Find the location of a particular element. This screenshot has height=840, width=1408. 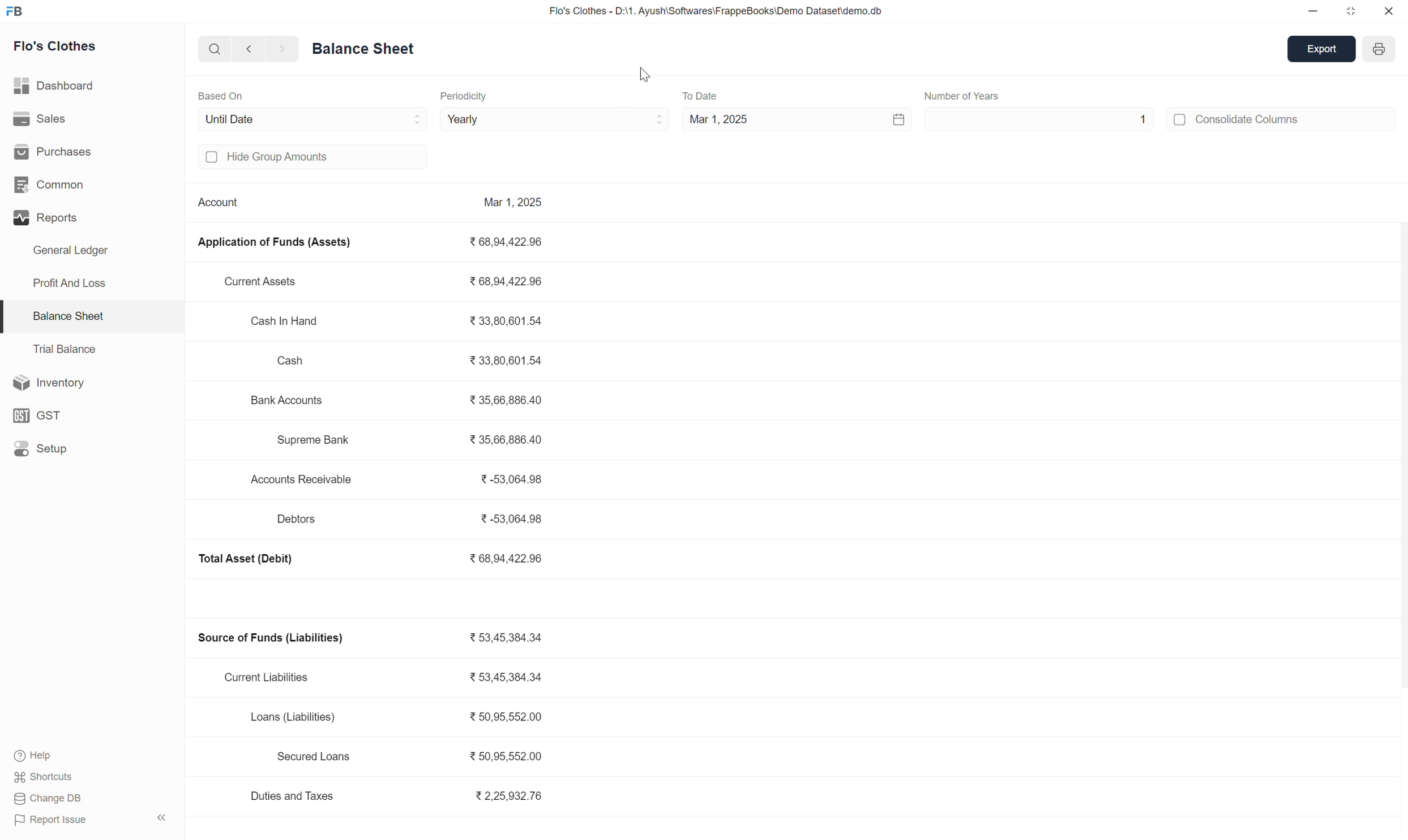

Balance Sheet is located at coordinates (74, 318).